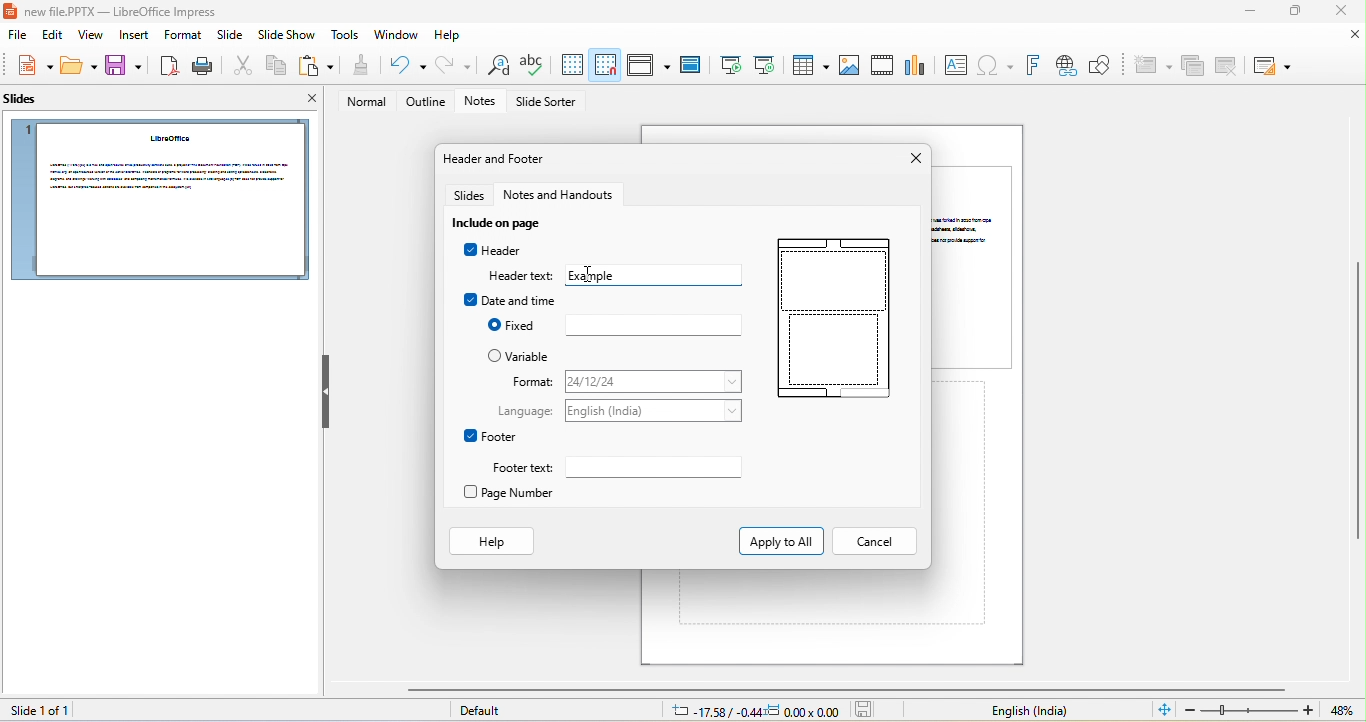 The height and width of the screenshot is (722, 1366). Describe the element at coordinates (660, 470) in the screenshot. I see `footer text` at that location.